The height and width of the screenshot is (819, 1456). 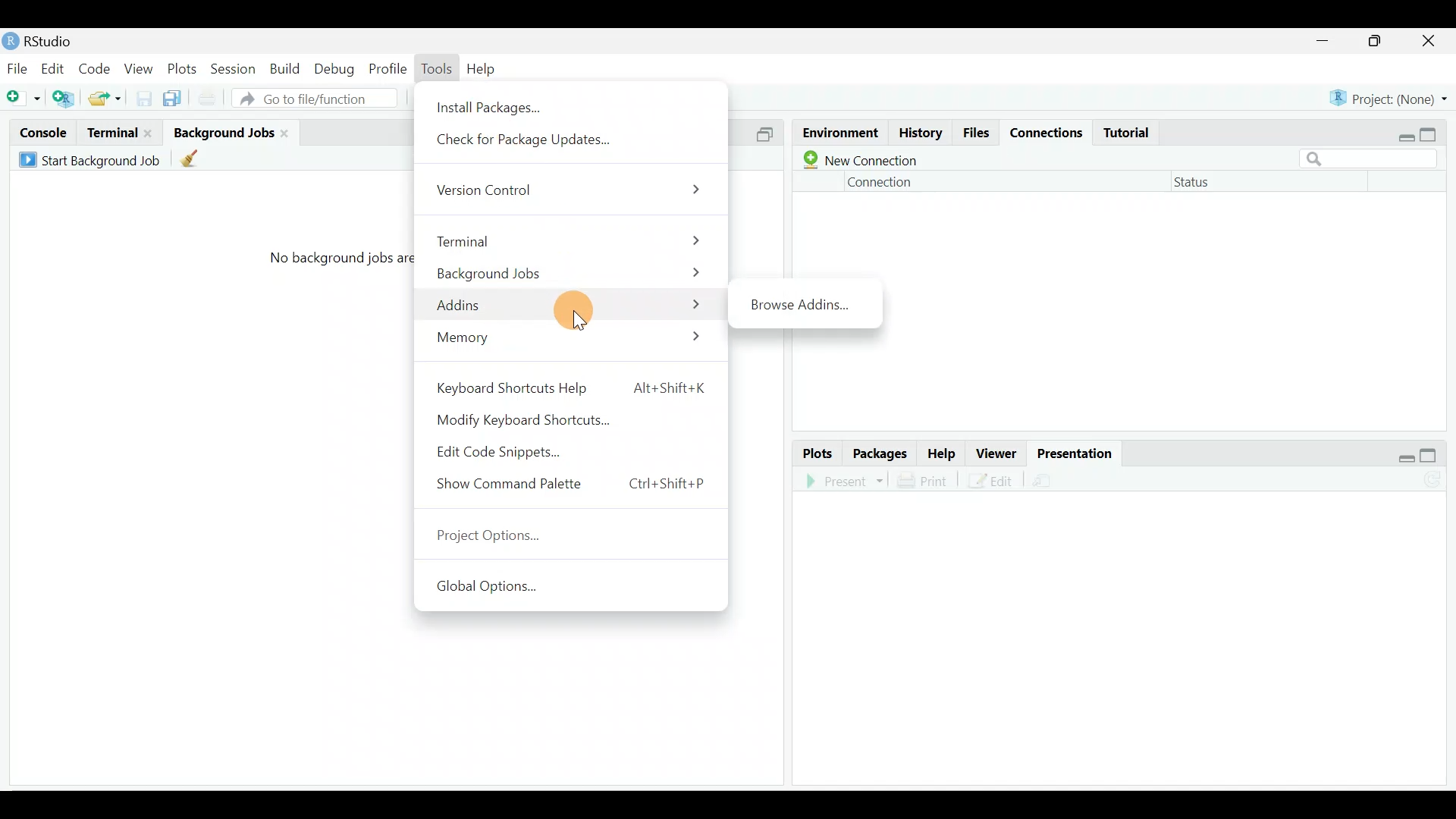 I want to click on Plots, so click(x=818, y=453).